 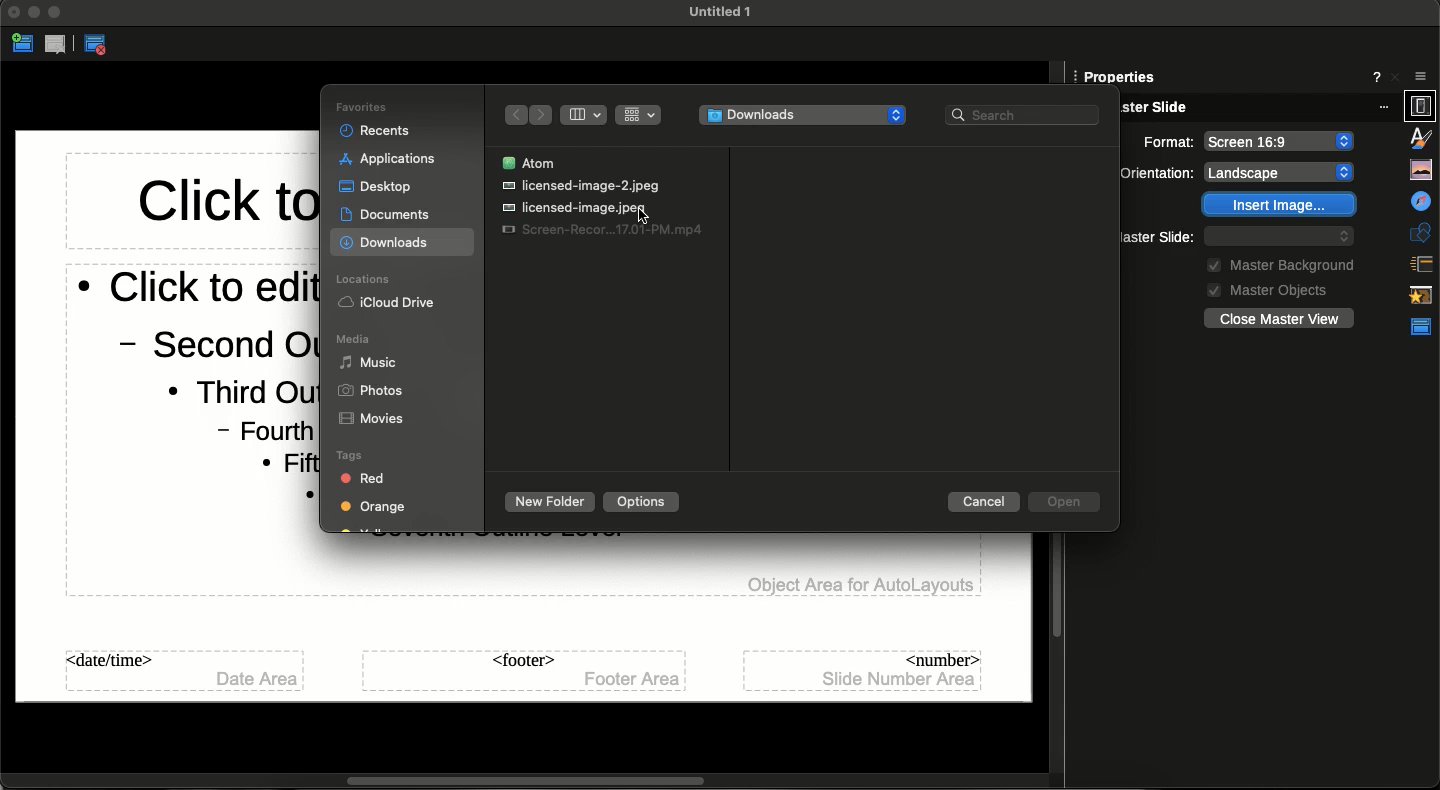 I want to click on None, so click(x=1287, y=171).